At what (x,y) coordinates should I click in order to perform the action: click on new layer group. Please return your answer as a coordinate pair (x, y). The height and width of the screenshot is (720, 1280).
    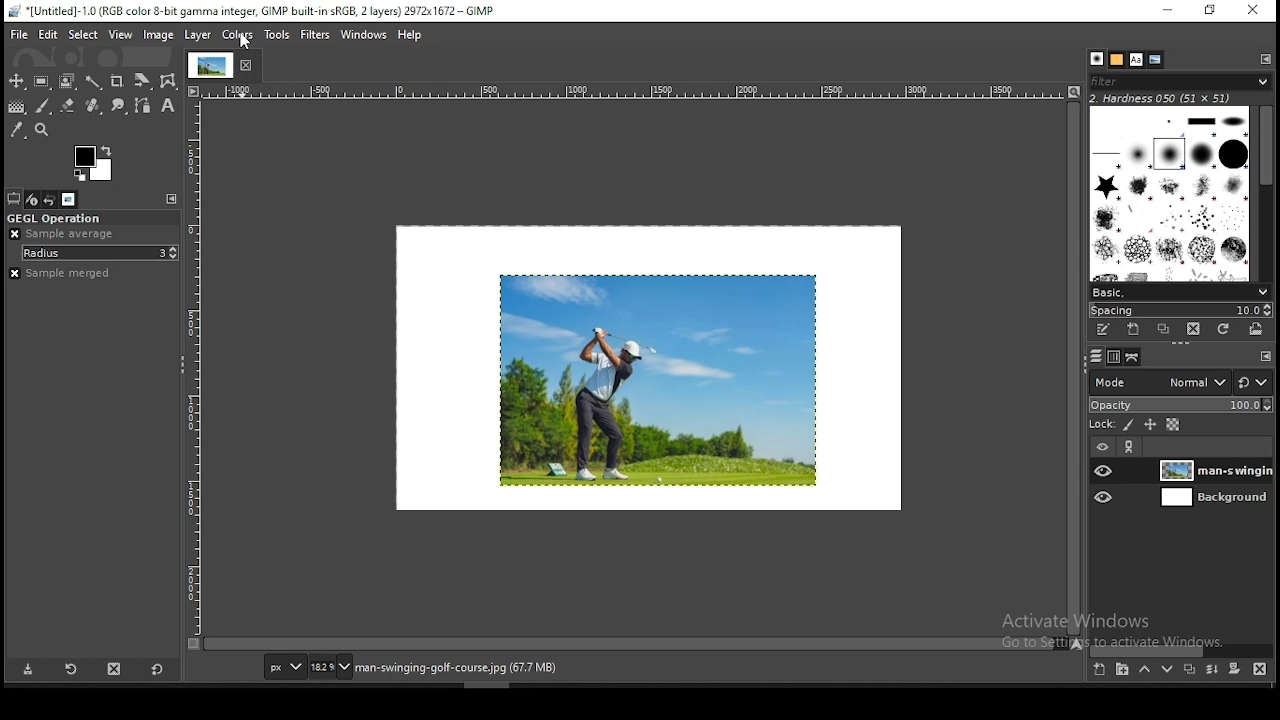
    Looking at the image, I should click on (1124, 670).